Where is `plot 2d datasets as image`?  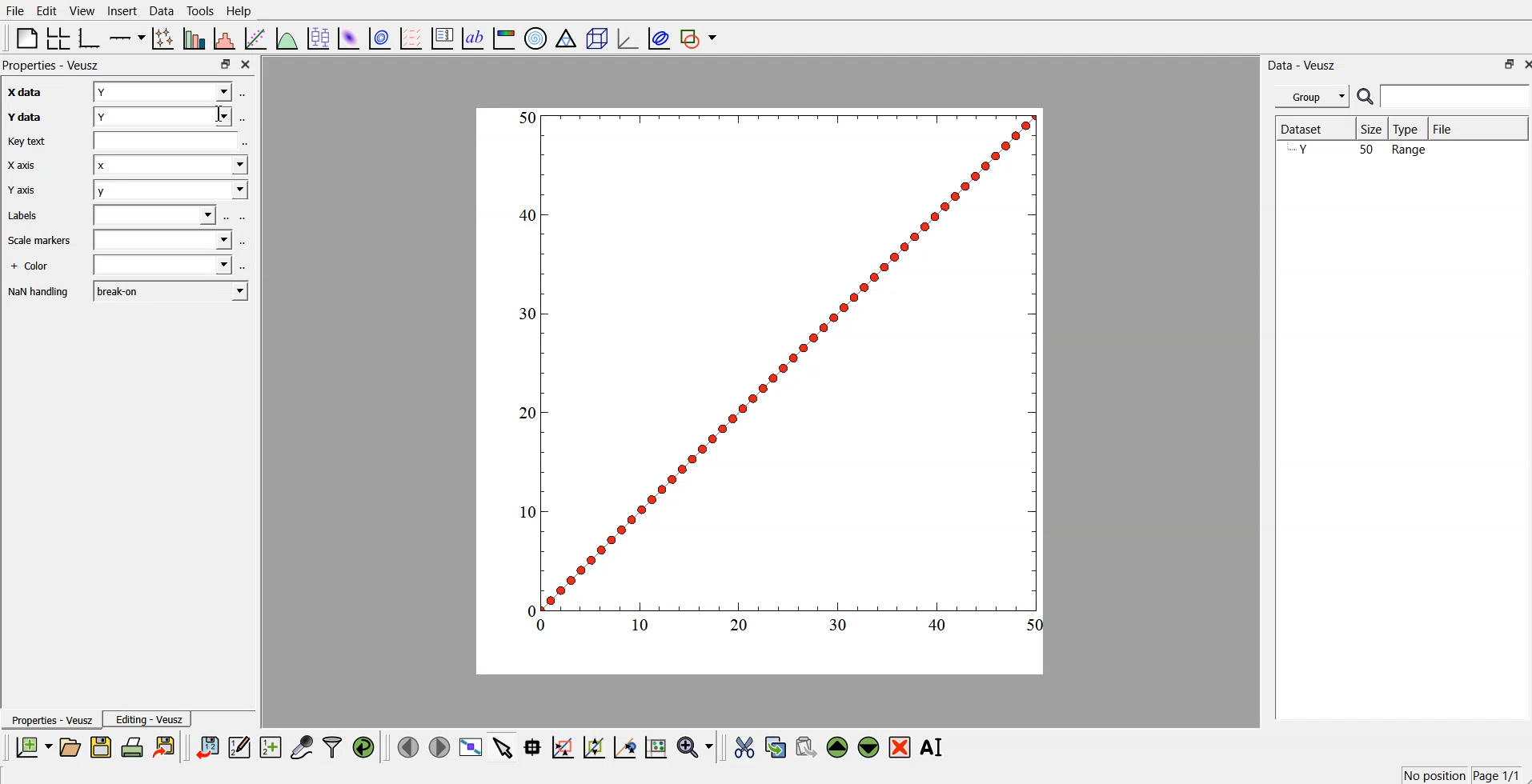
plot 2d datasets as image is located at coordinates (350, 36).